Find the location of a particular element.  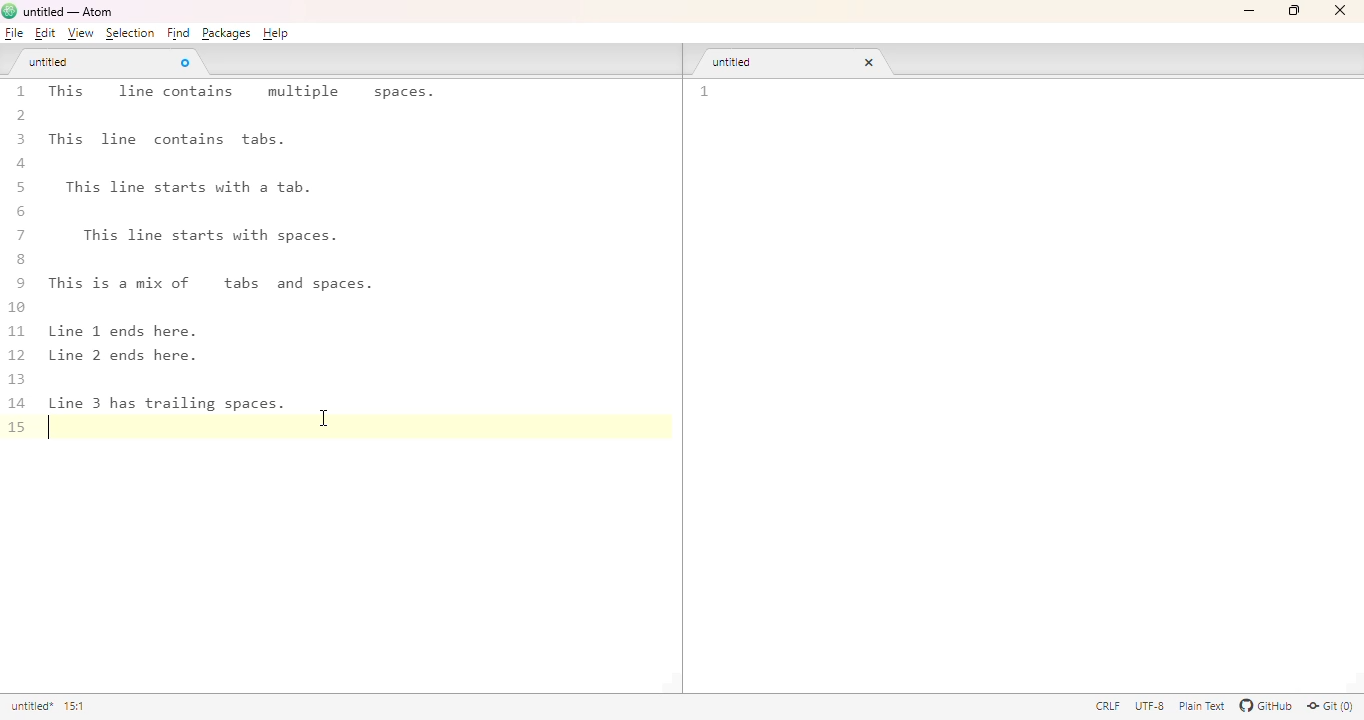

untitled — Atom is located at coordinates (72, 10).